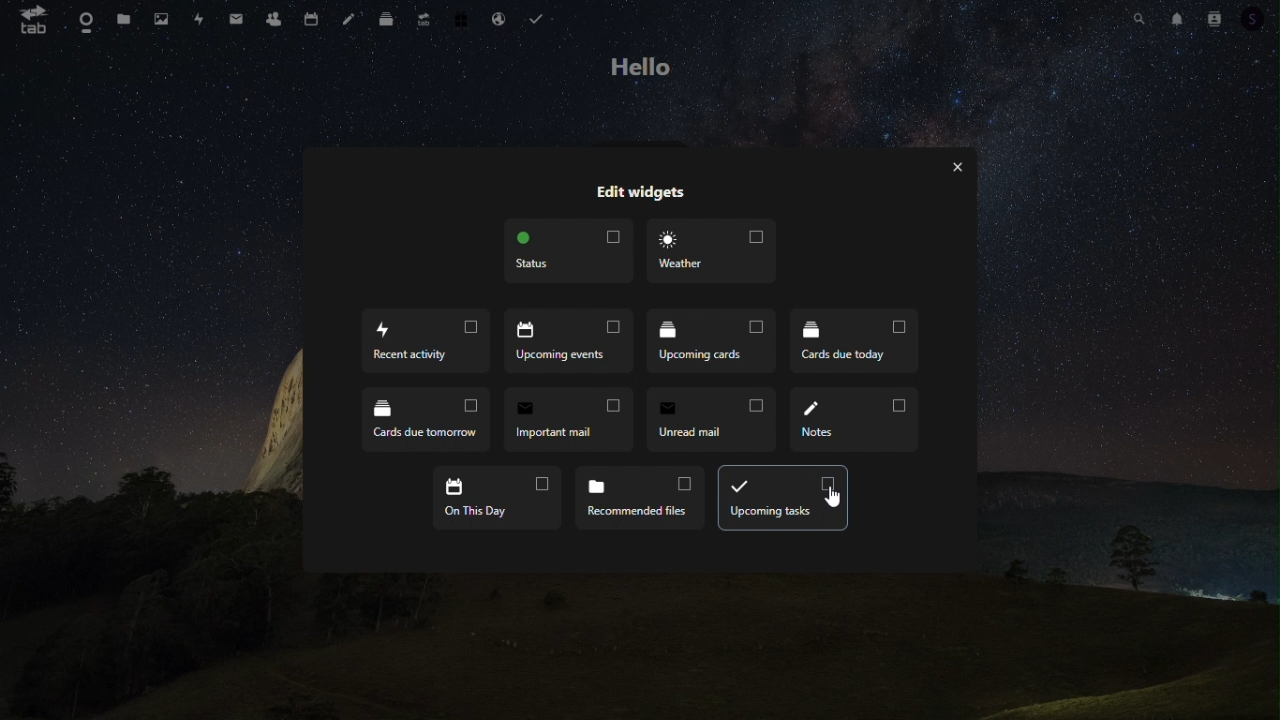 Image resolution: width=1280 pixels, height=720 pixels. What do you see at coordinates (83, 26) in the screenshot?
I see `dashboard` at bounding box center [83, 26].